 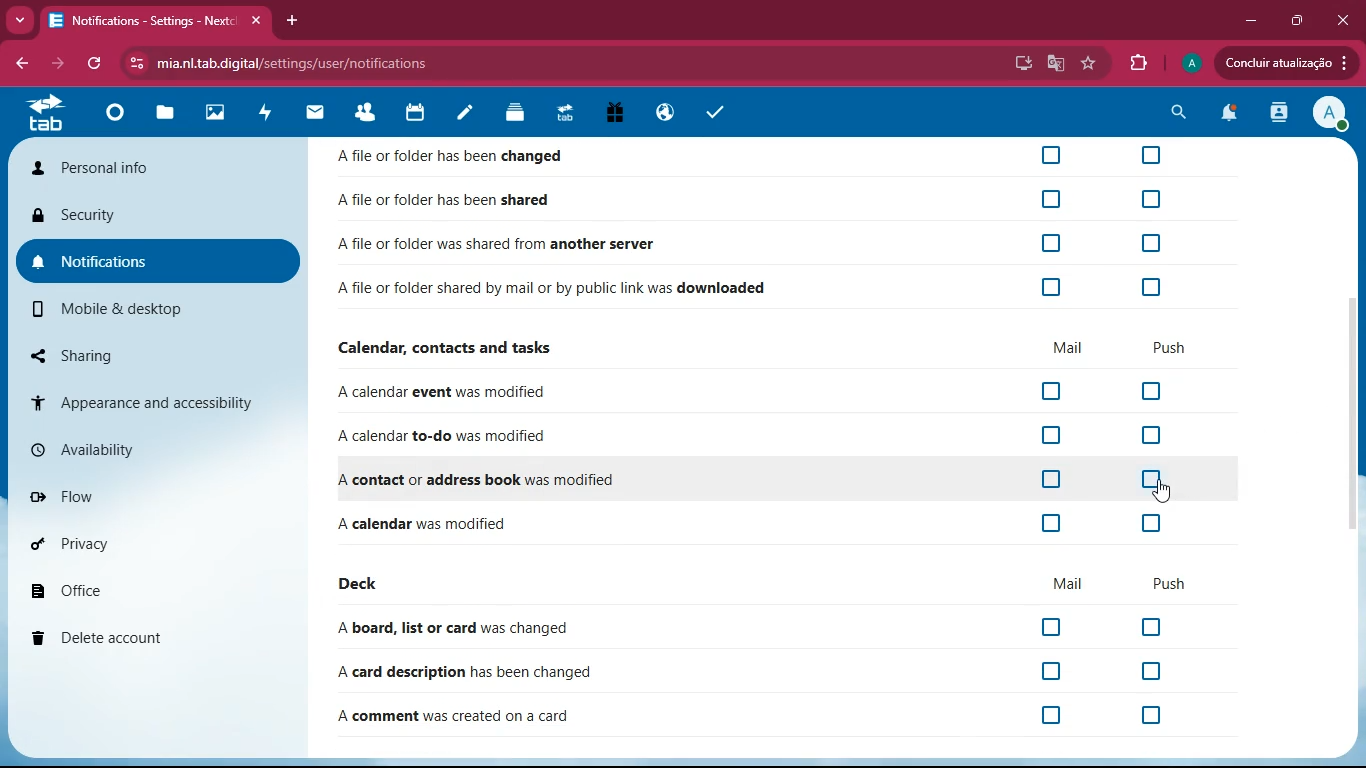 I want to click on home, so click(x=118, y=118).